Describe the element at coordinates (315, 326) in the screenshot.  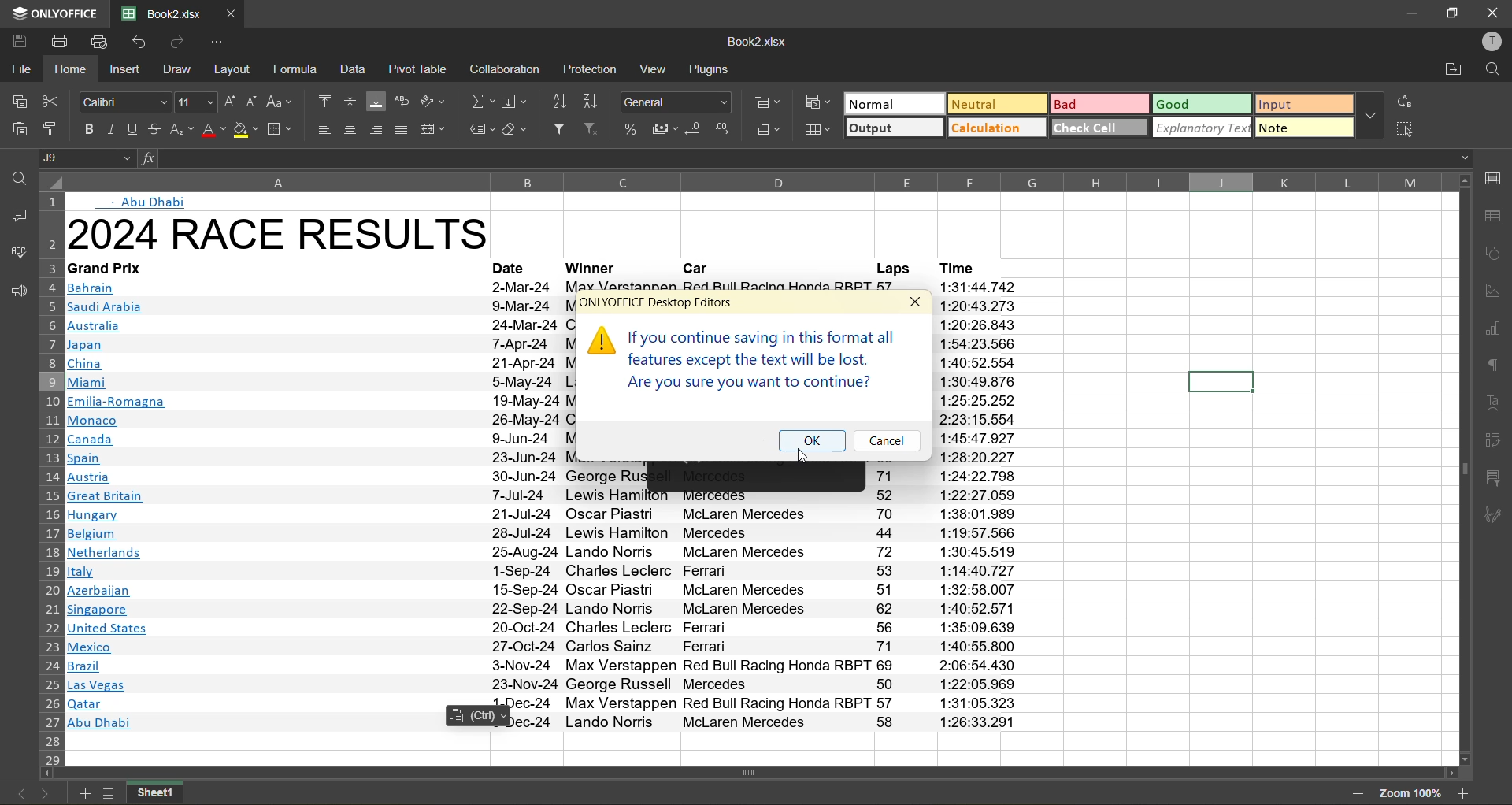
I see `text info` at that location.